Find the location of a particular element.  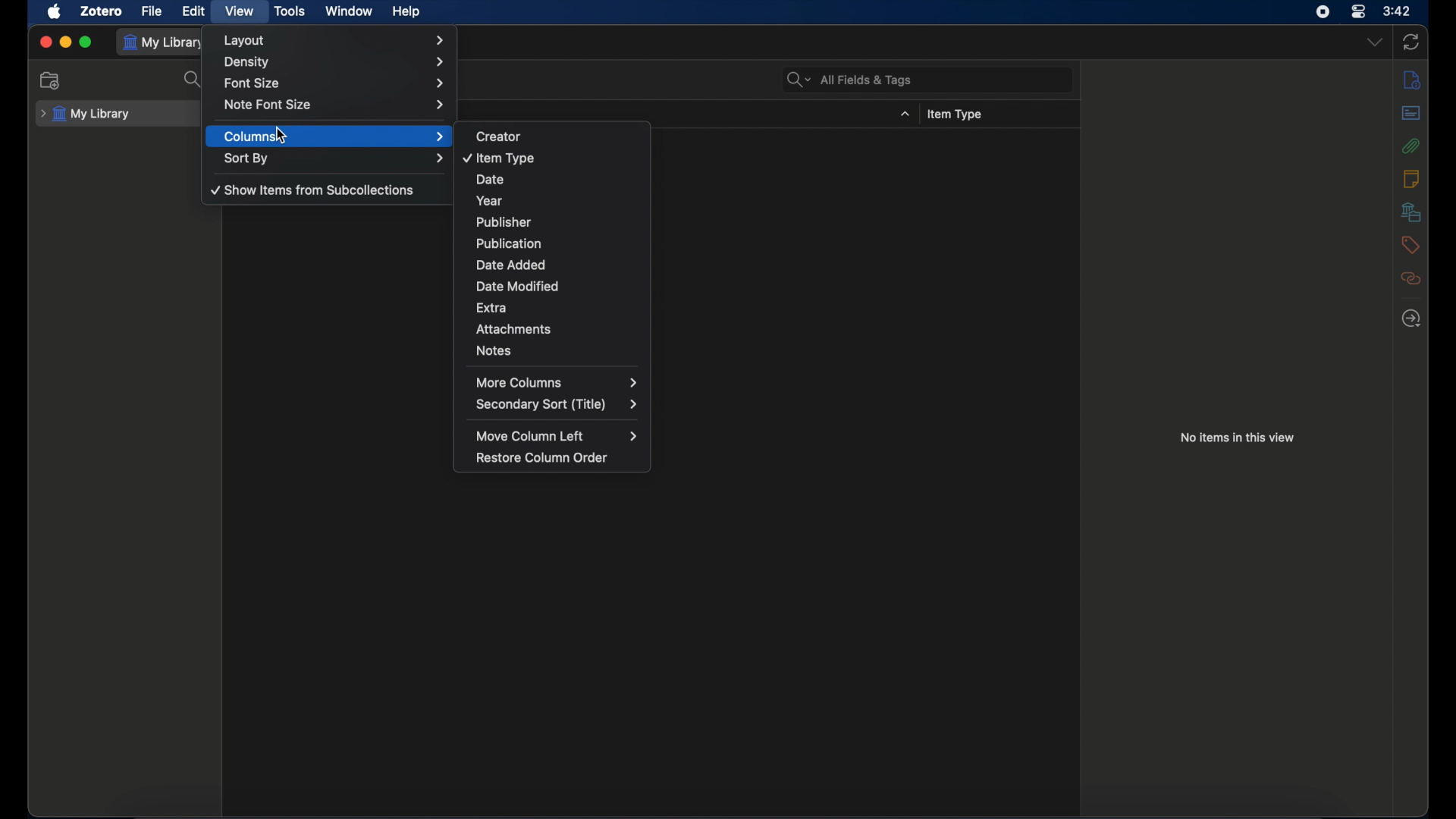

zotero is located at coordinates (102, 10).